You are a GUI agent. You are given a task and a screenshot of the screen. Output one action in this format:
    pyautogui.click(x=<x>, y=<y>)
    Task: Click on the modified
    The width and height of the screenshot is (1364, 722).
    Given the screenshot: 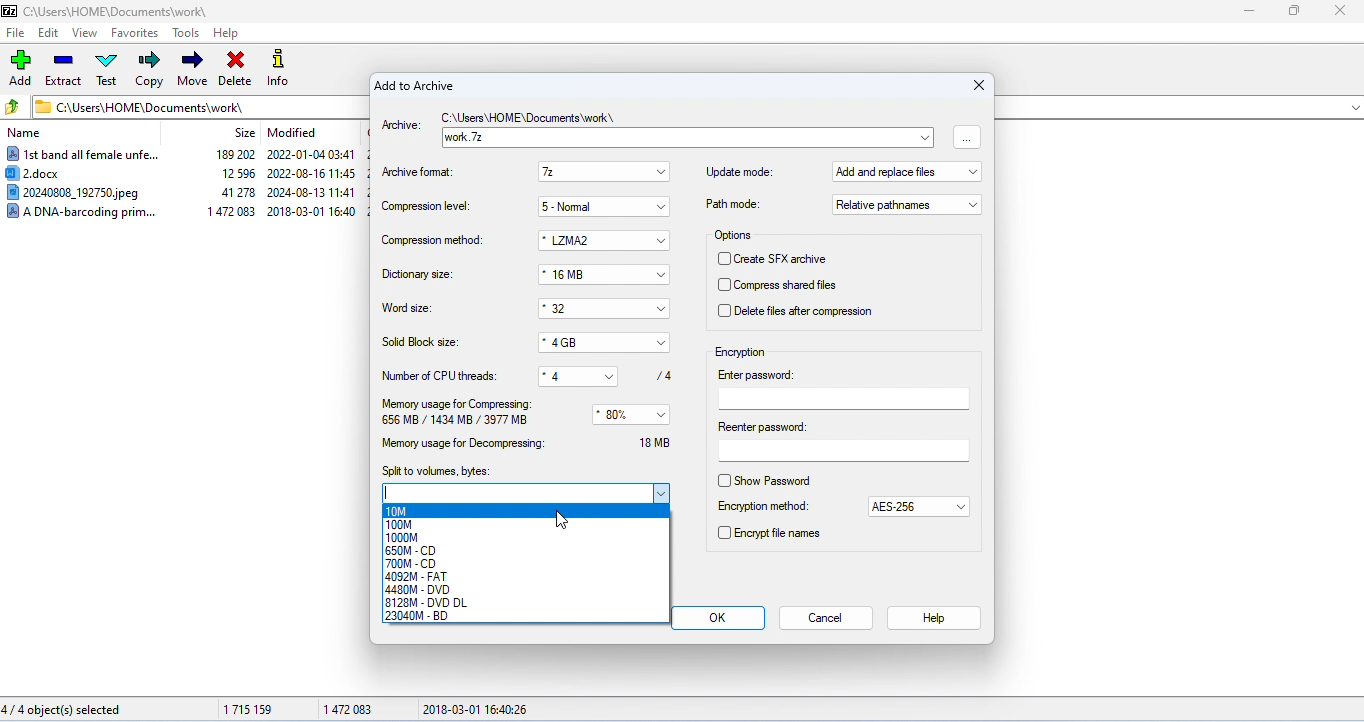 What is the action you would take?
    pyautogui.click(x=293, y=132)
    